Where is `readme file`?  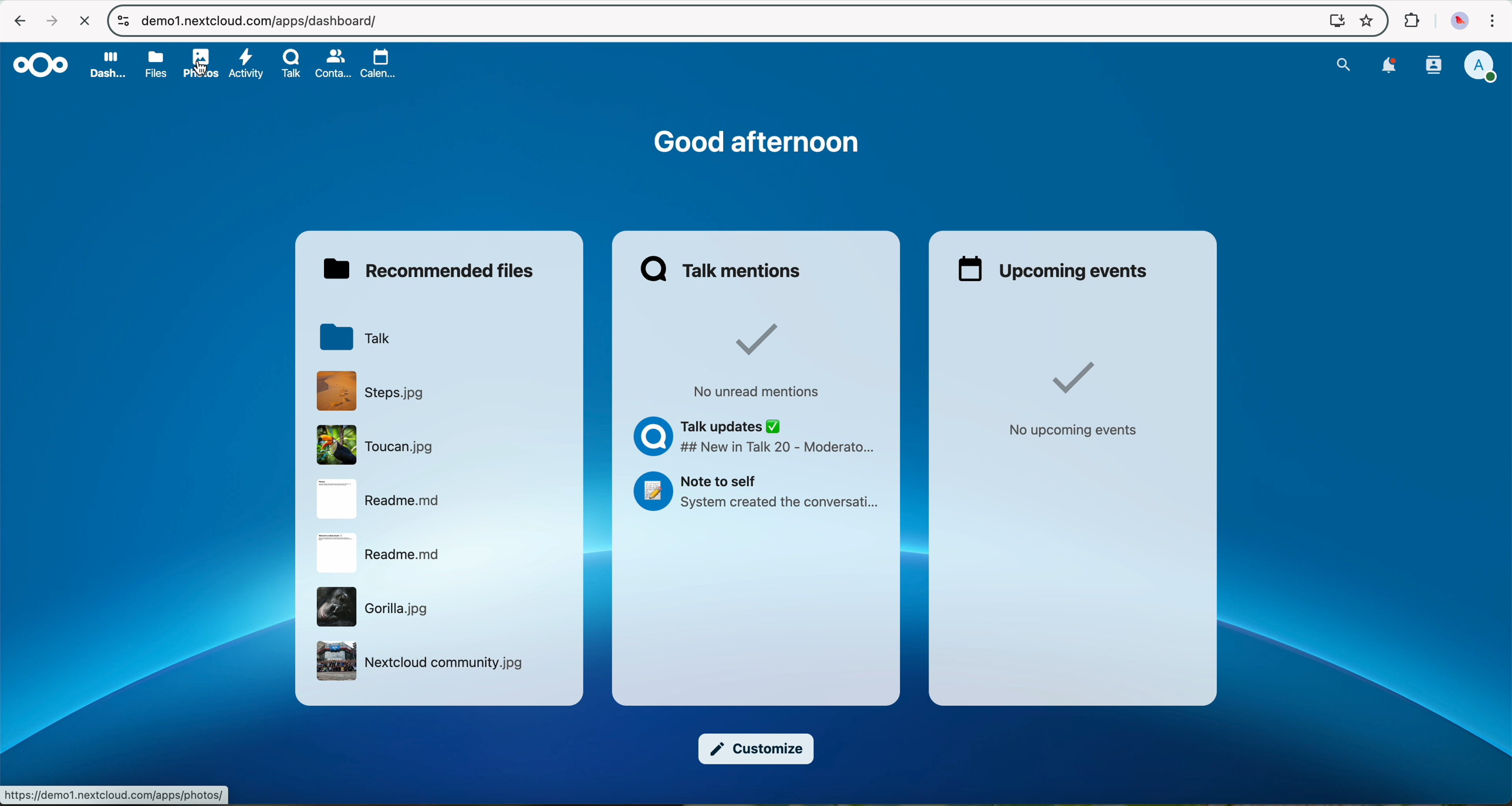
readme file is located at coordinates (379, 498).